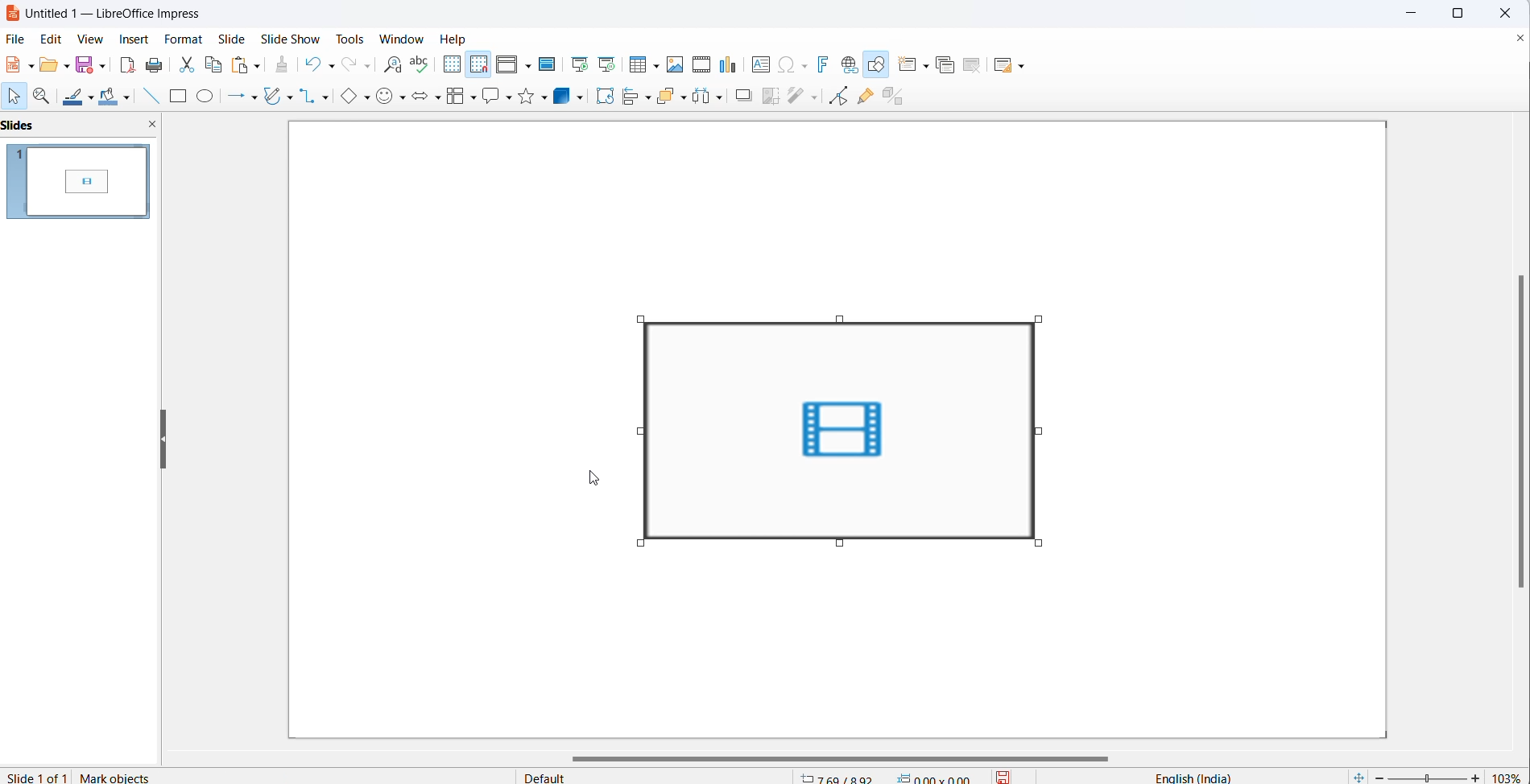 The width and height of the screenshot is (1530, 784). Describe the element at coordinates (345, 39) in the screenshot. I see `tools` at that location.